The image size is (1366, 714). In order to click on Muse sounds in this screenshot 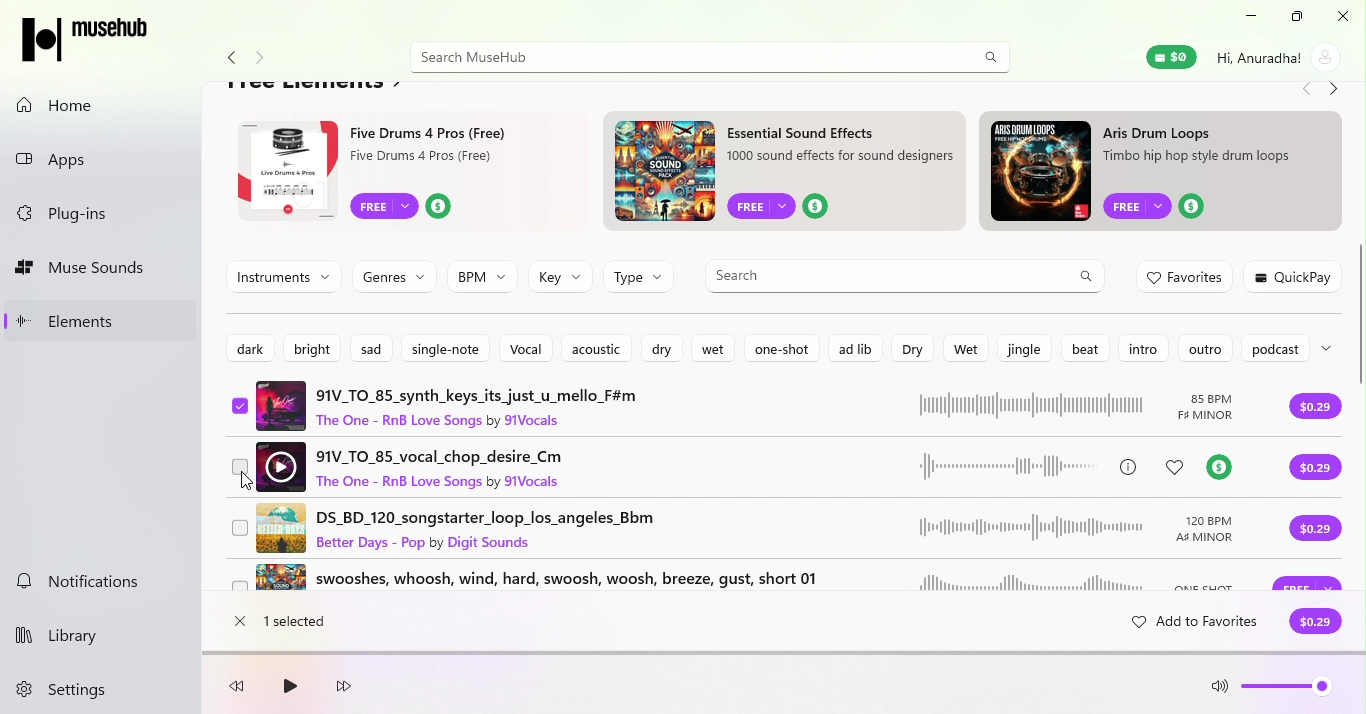, I will do `click(102, 269)`.